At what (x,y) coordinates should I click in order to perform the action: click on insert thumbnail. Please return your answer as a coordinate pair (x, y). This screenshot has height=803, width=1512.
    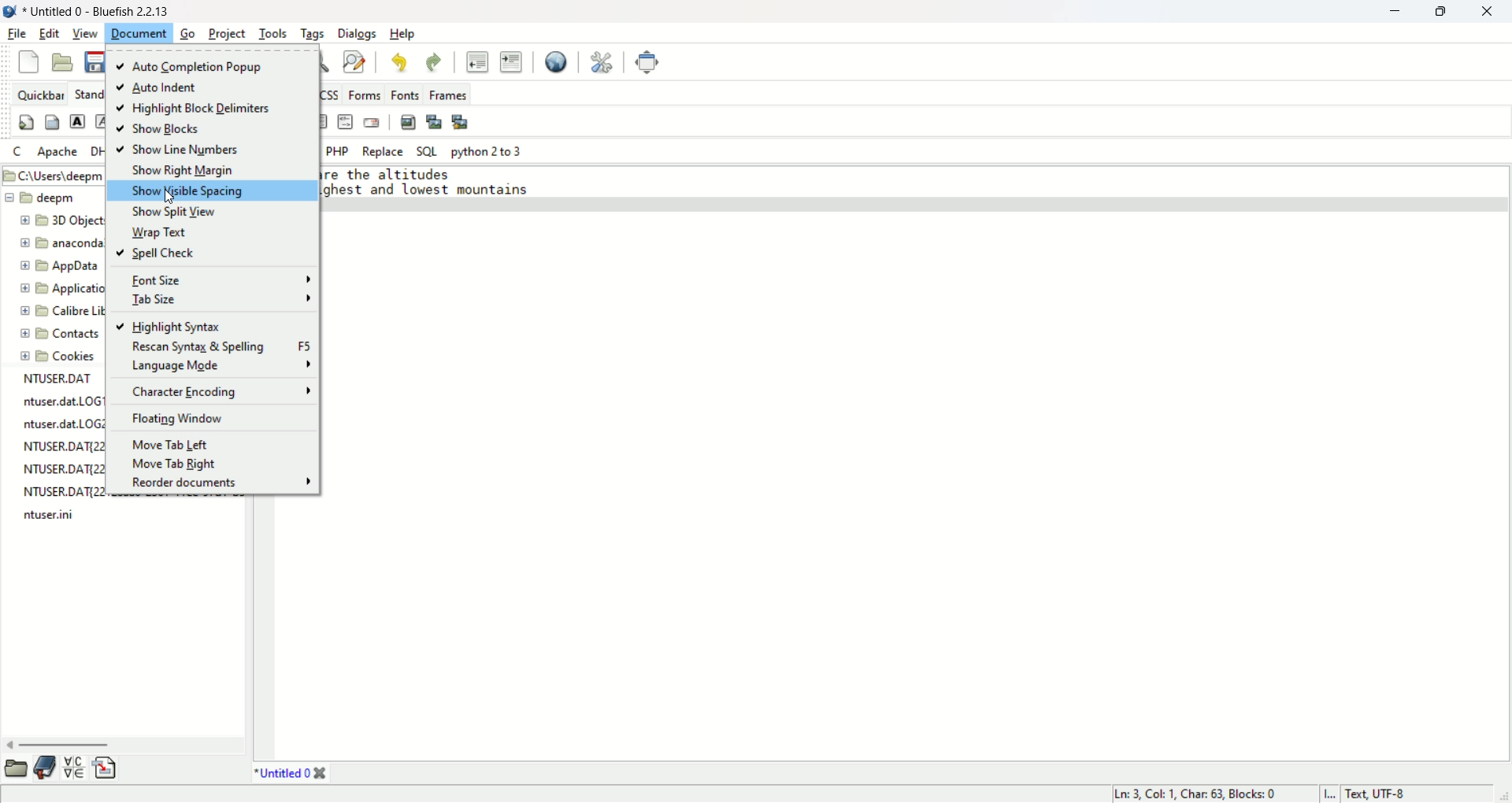
    Looking at the image, I should click on (432, 120).